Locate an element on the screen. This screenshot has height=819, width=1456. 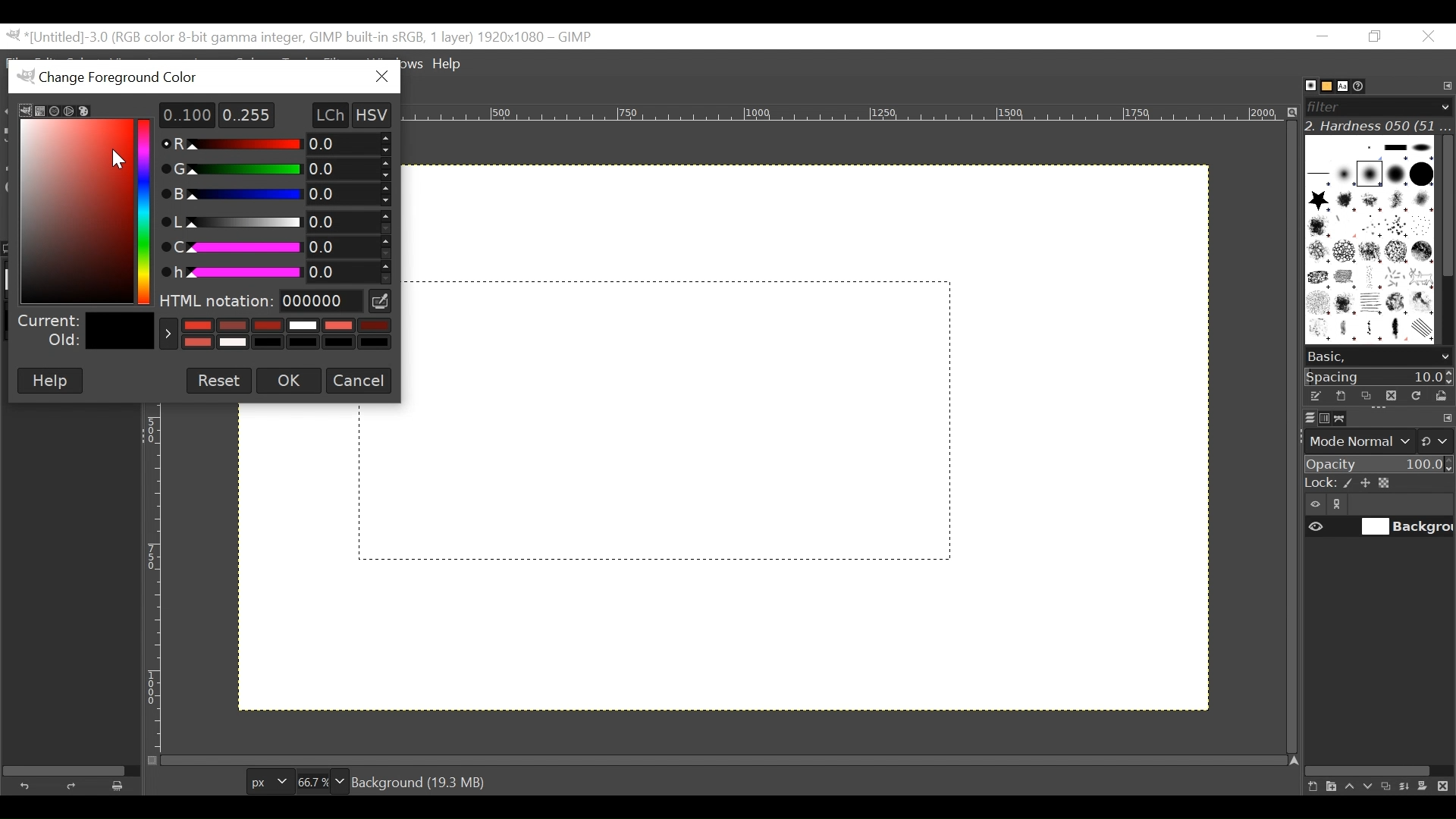
Delete this layer is located at coordinates (1446, 787).